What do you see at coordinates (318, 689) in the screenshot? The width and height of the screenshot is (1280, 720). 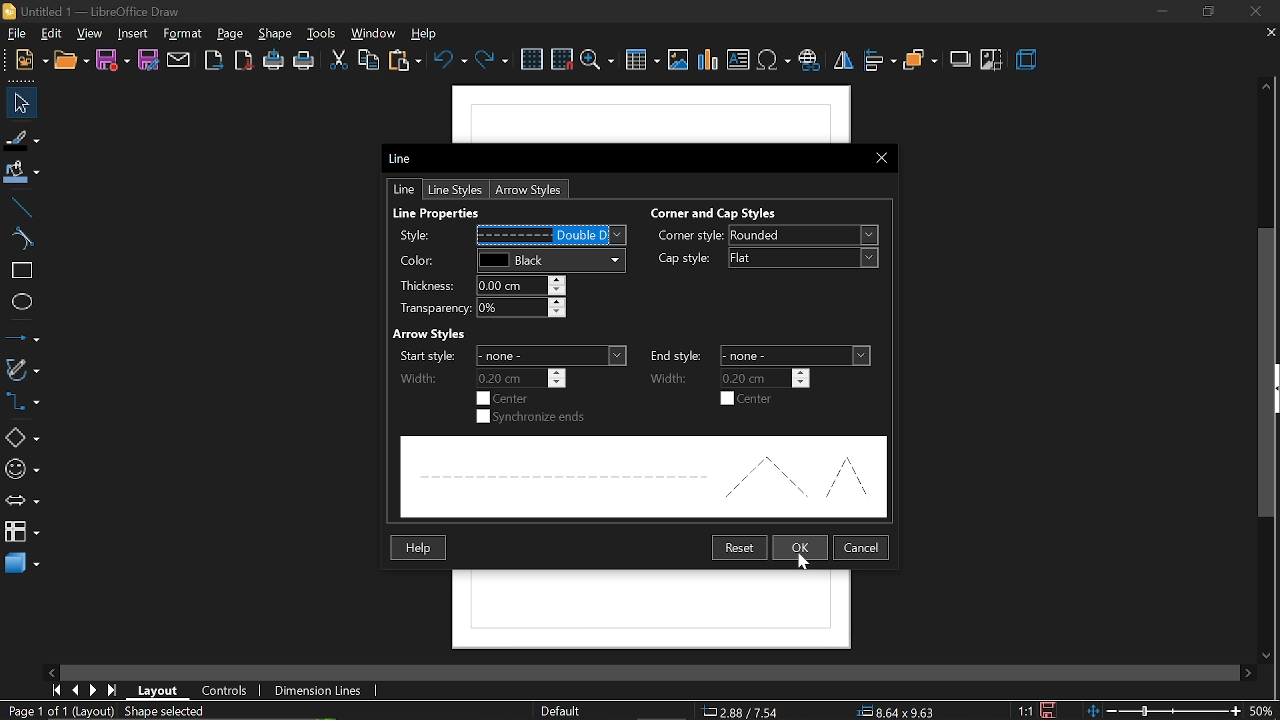 I see `dimension lines` at bounding box center [318, 689].